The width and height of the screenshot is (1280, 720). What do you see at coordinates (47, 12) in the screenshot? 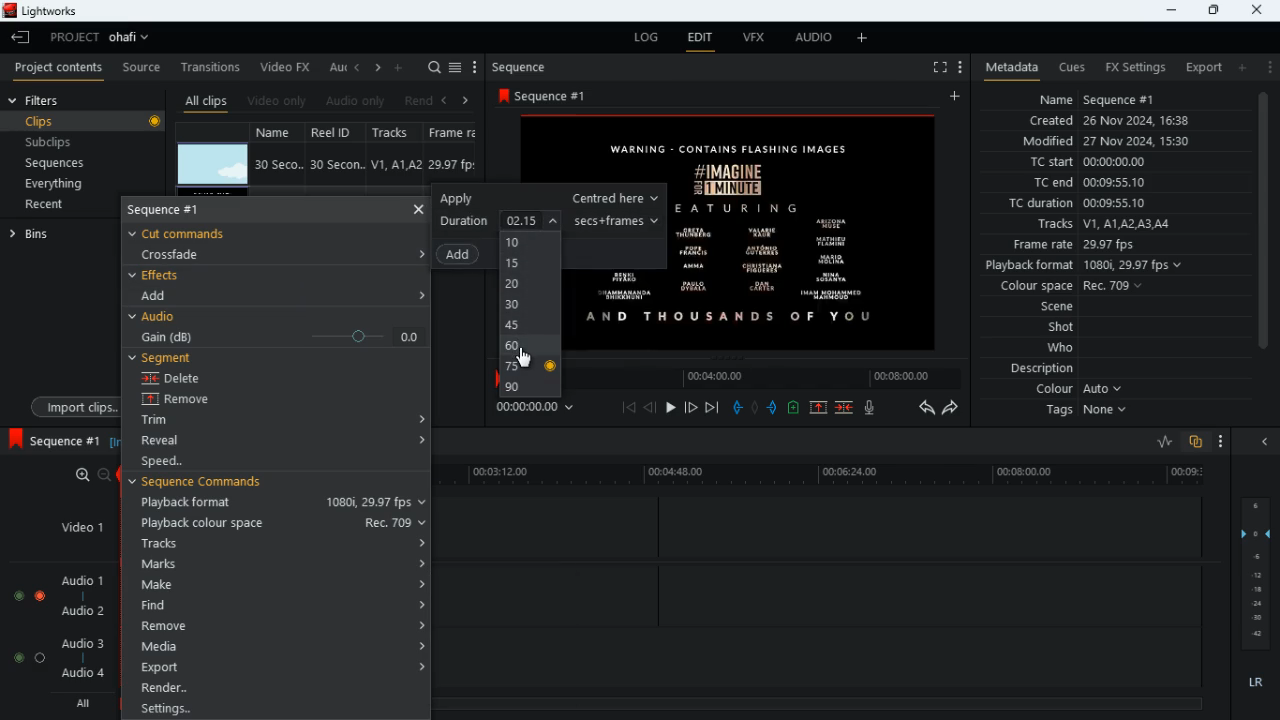
I see `lightworks` at bounding box center [47, 12].